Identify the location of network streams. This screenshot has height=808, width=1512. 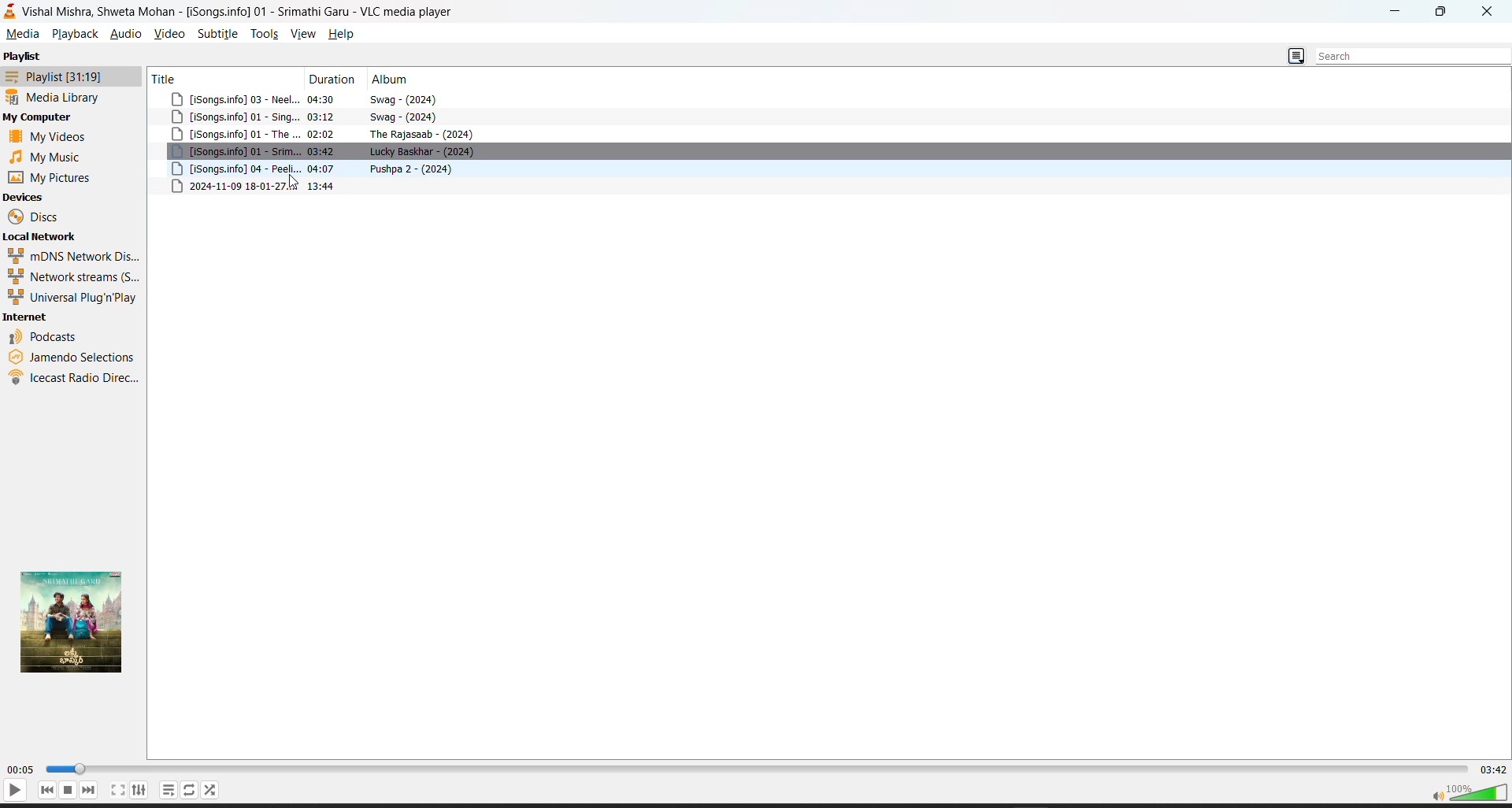
(69, 276).